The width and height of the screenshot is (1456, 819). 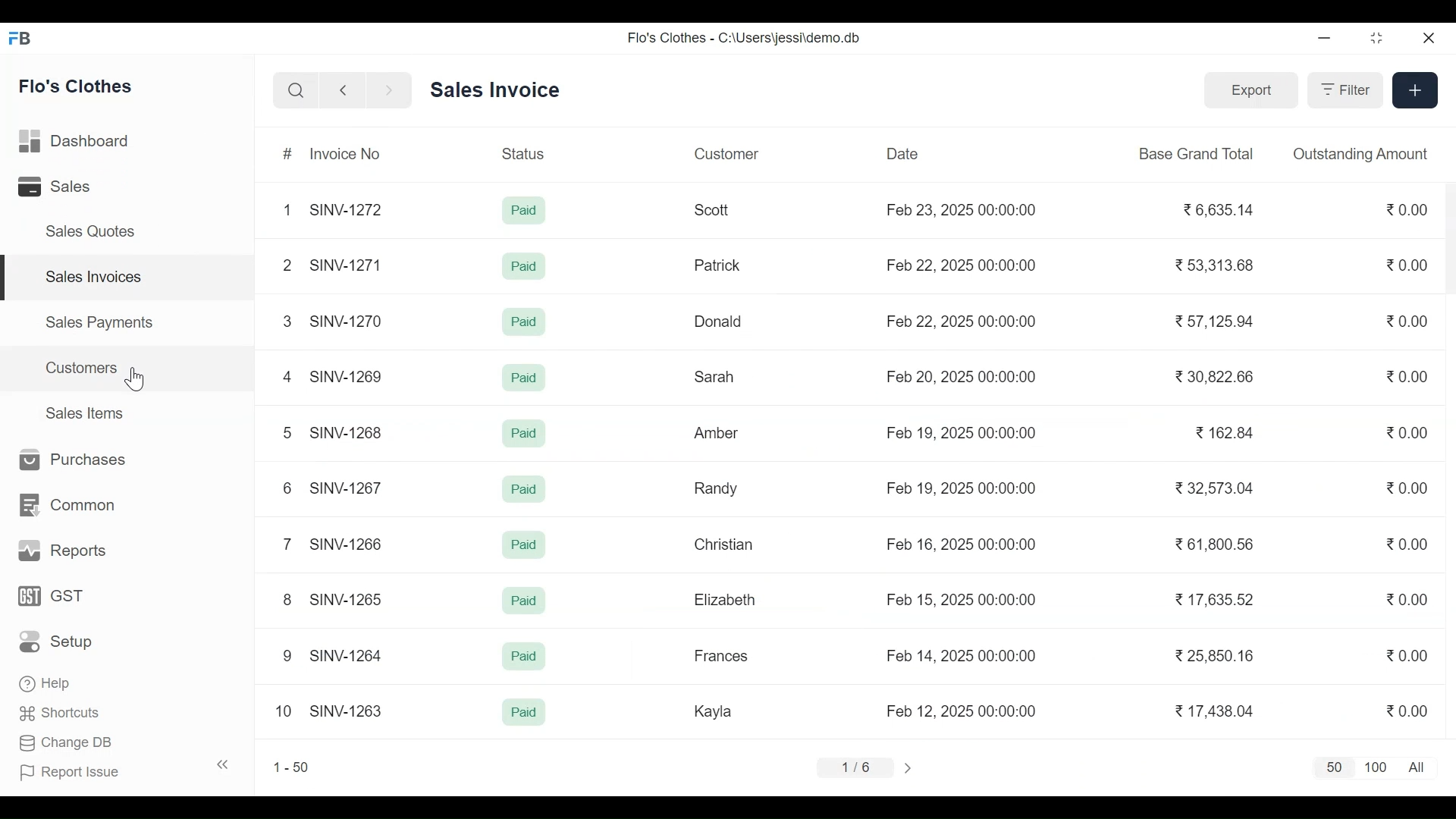 What do you see at coordinates (1345, 92) in the screenshot?
I see `Filter` at bounding box center [1345, 92].